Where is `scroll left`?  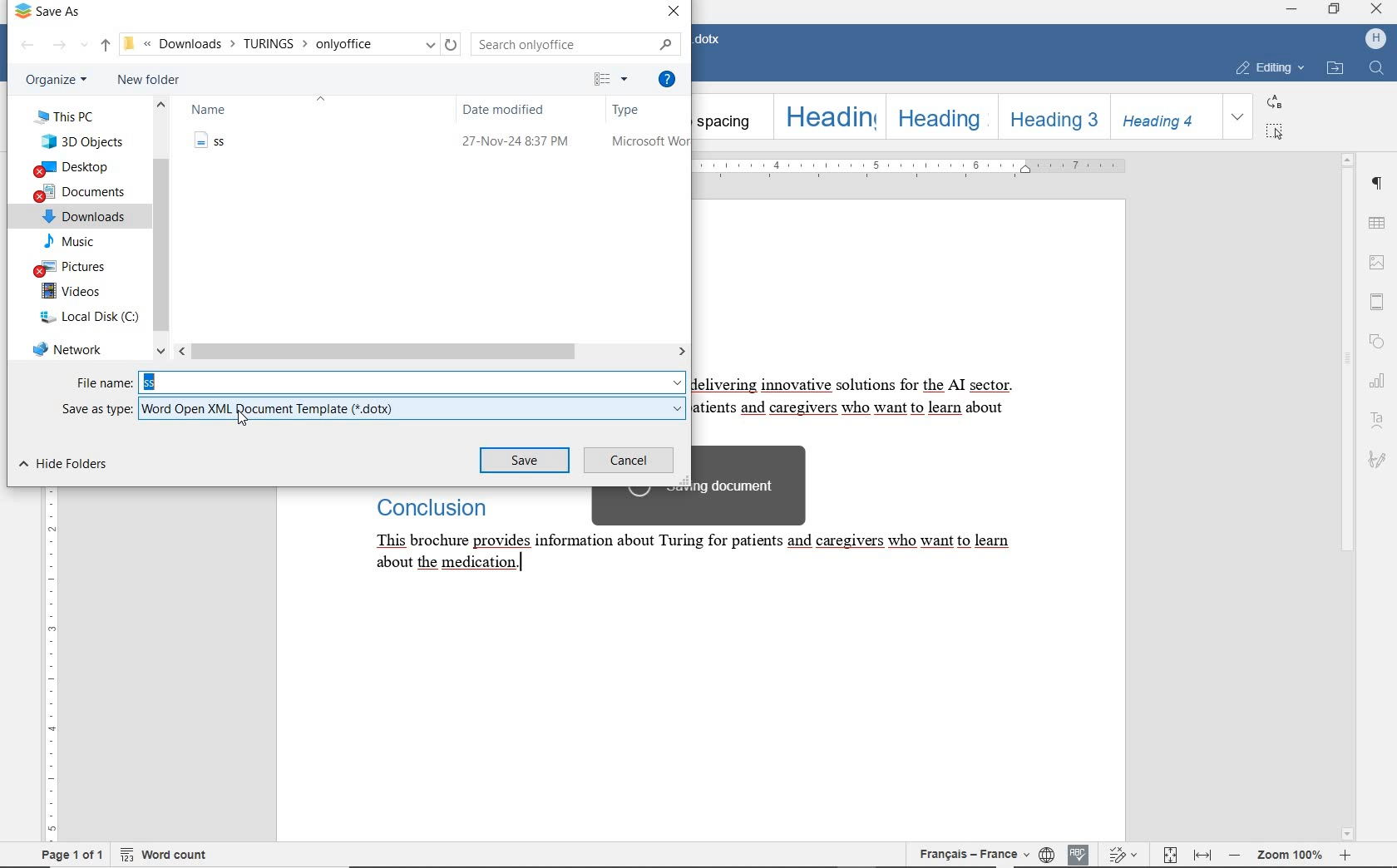 scroll left is located at coordinates (185, 351).